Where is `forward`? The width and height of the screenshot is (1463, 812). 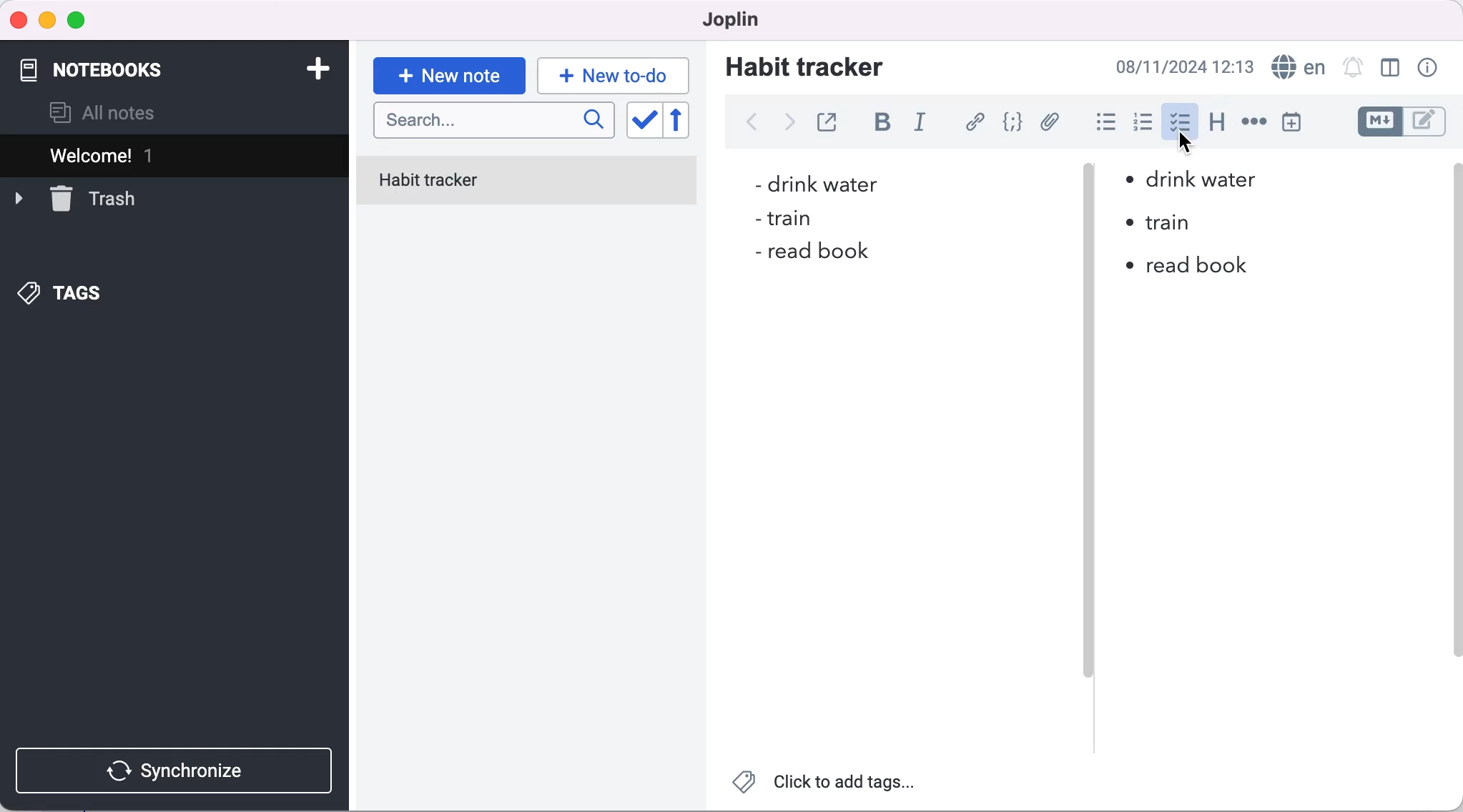
forward is located at coordinates (787, 127).